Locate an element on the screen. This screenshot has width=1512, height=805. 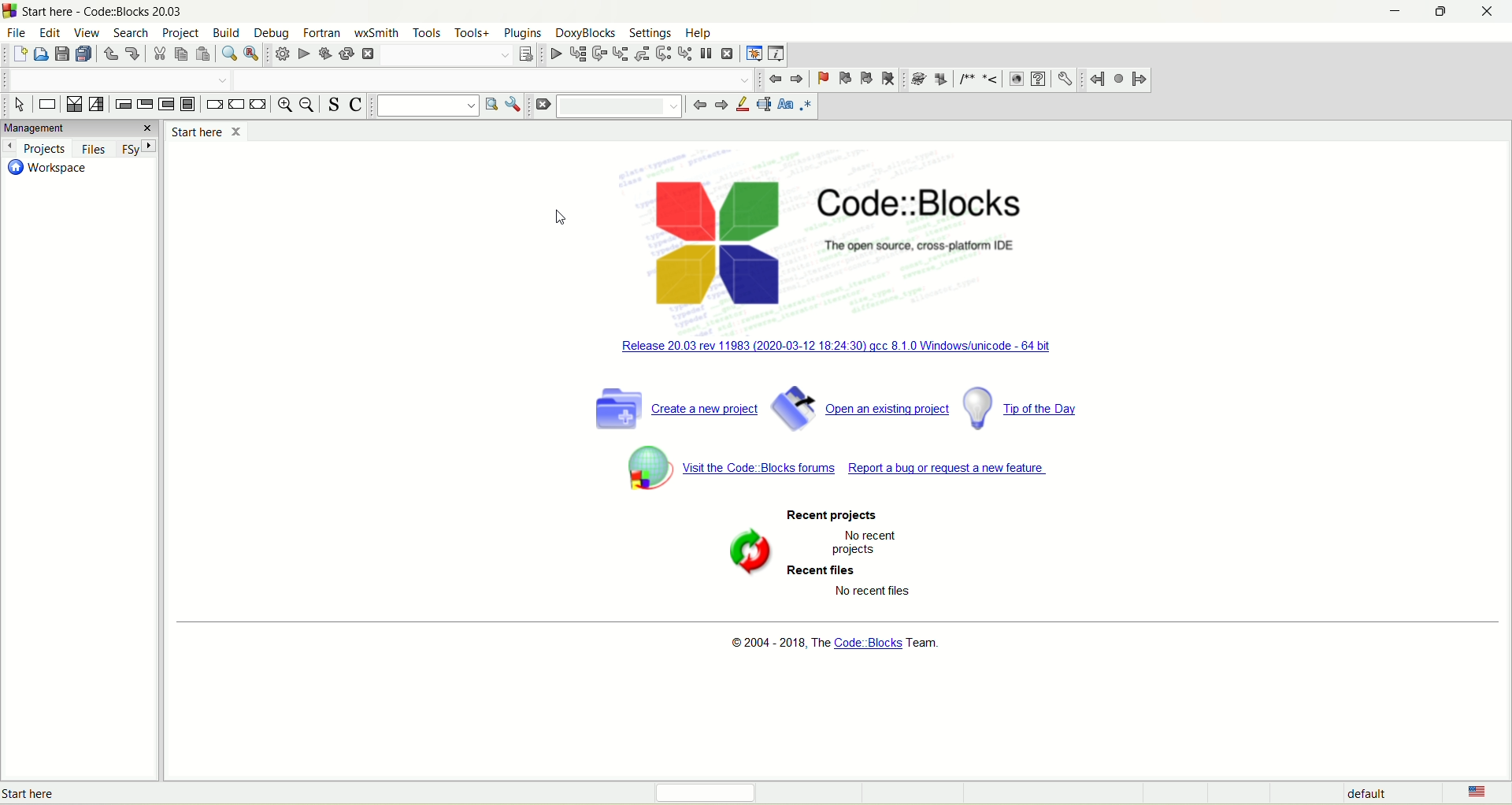
blank space is located at coordinates (116, 77).